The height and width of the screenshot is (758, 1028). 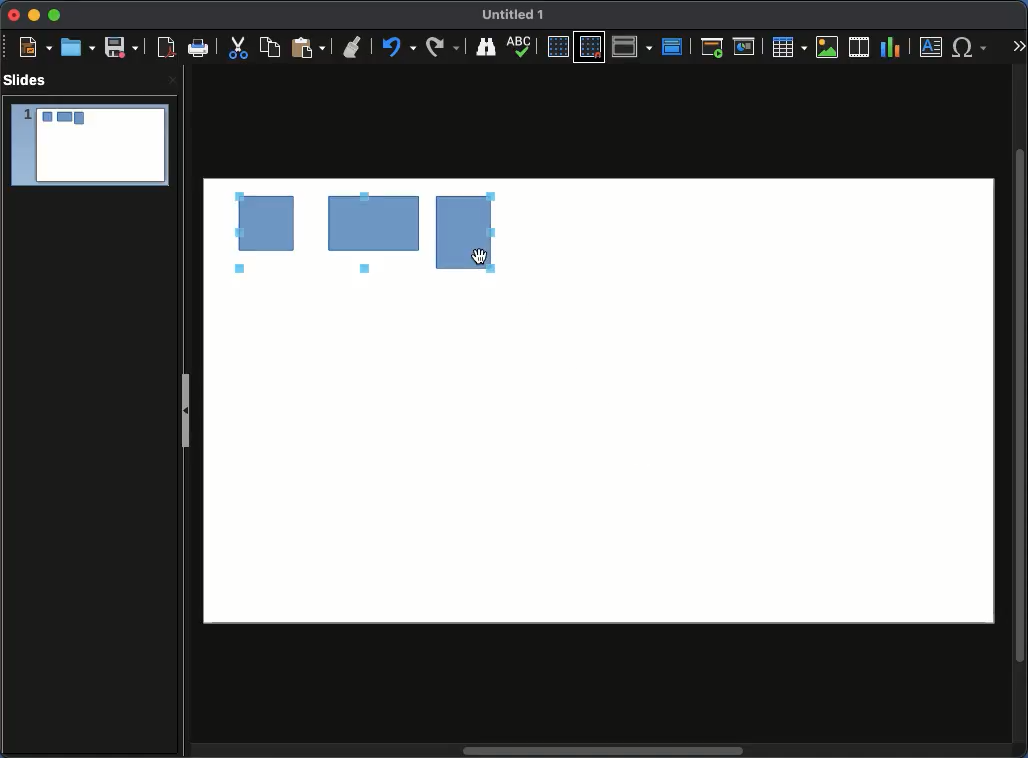 What do you see at coordinates (198, 46) in the screenshot?
I see `Print` at bounding box center [198, 46].